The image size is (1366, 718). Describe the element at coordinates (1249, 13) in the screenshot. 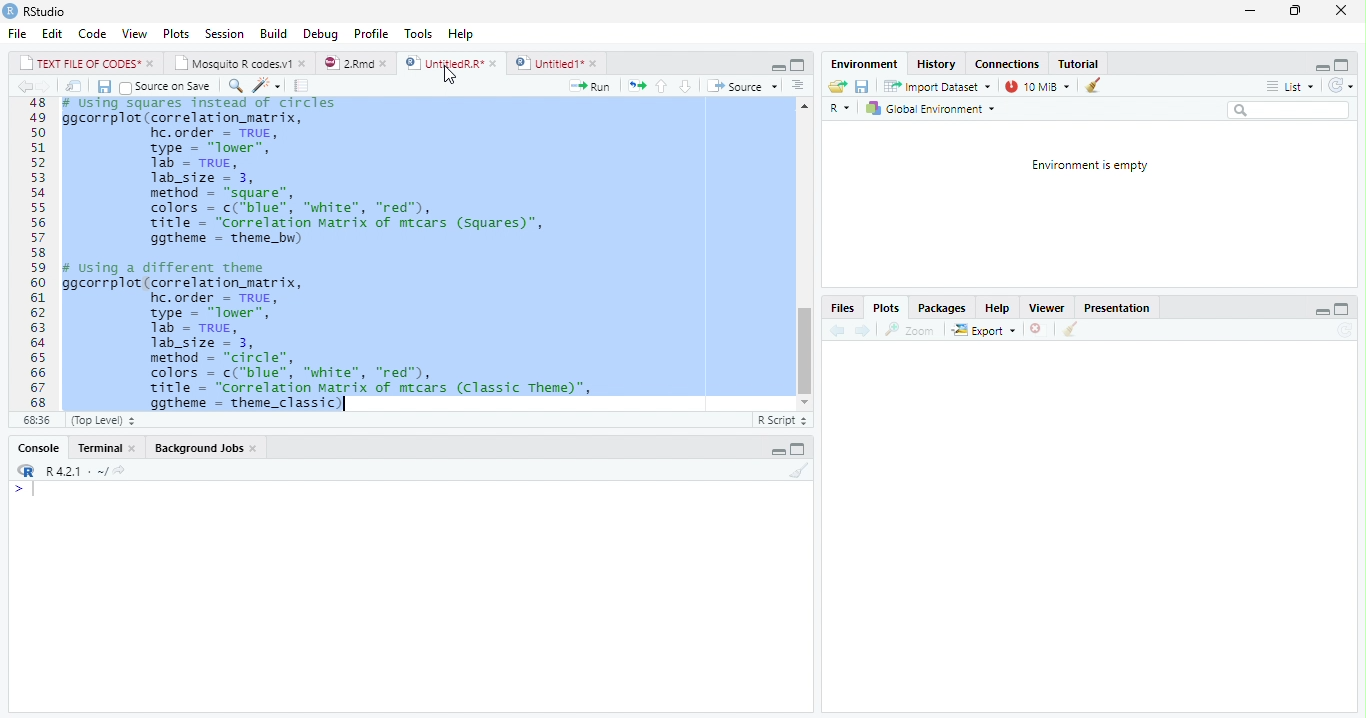

I see `minimize` at that location.